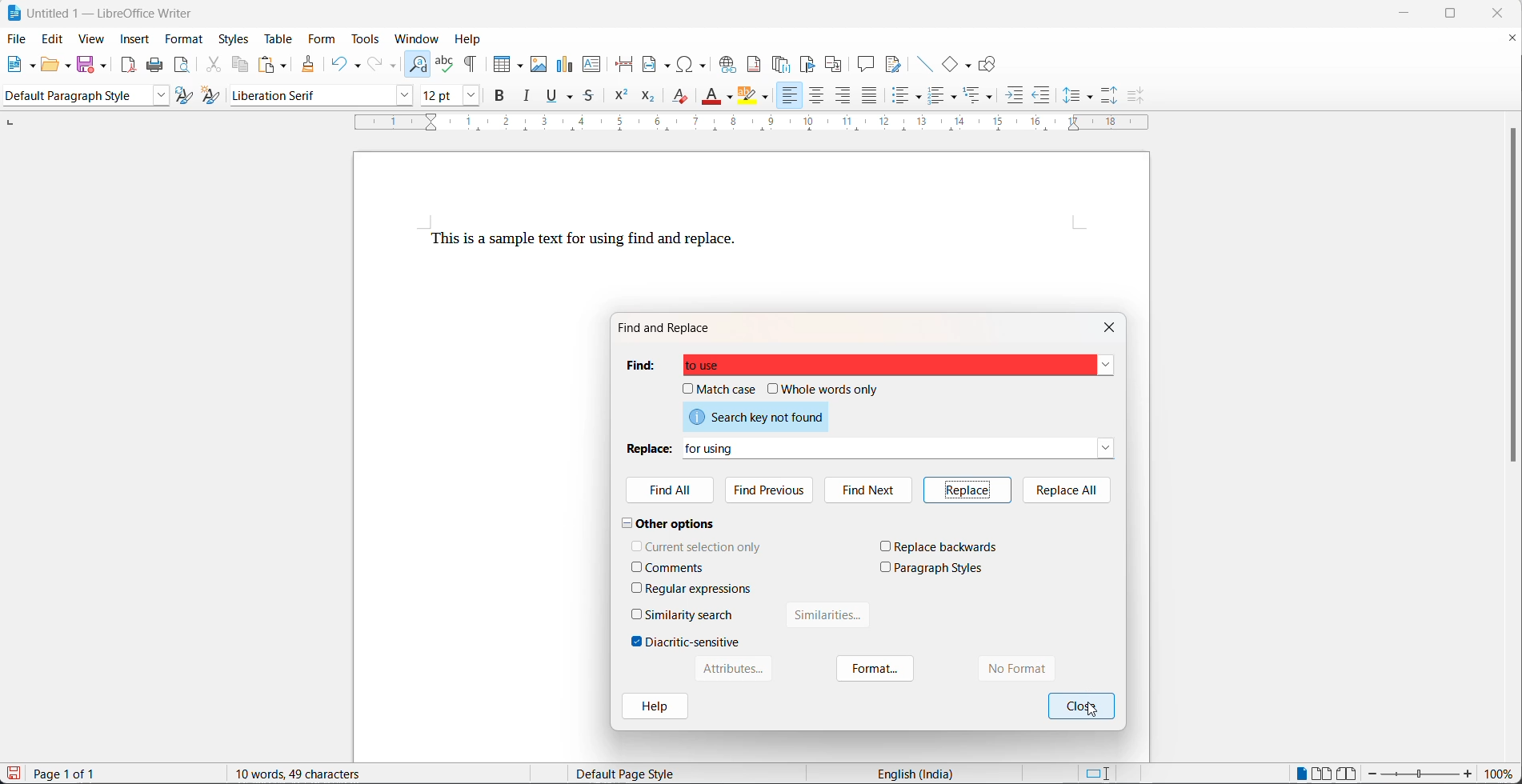 This screenshot has width=1522, height=784. I want to click on find and replace, so click(419, 62).